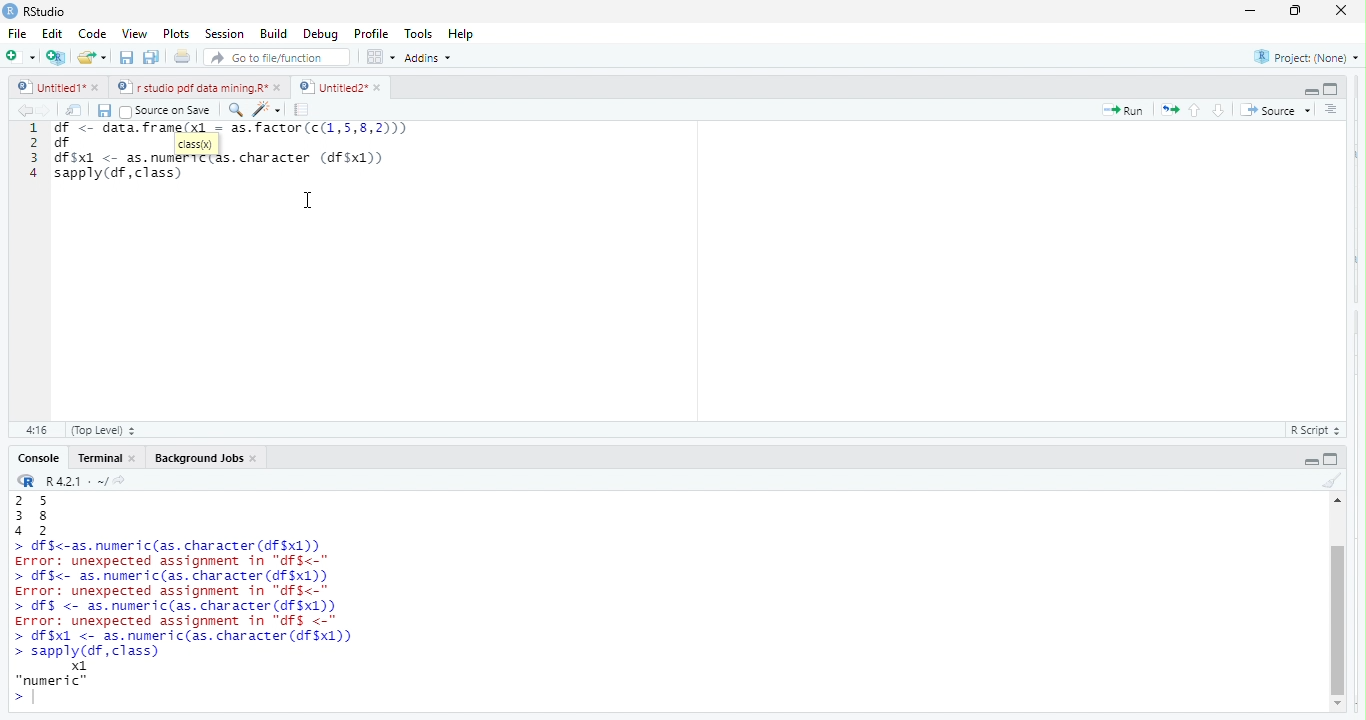 This screenshot has width=1366, height=720. I want to click on new file, so click(20, 59).